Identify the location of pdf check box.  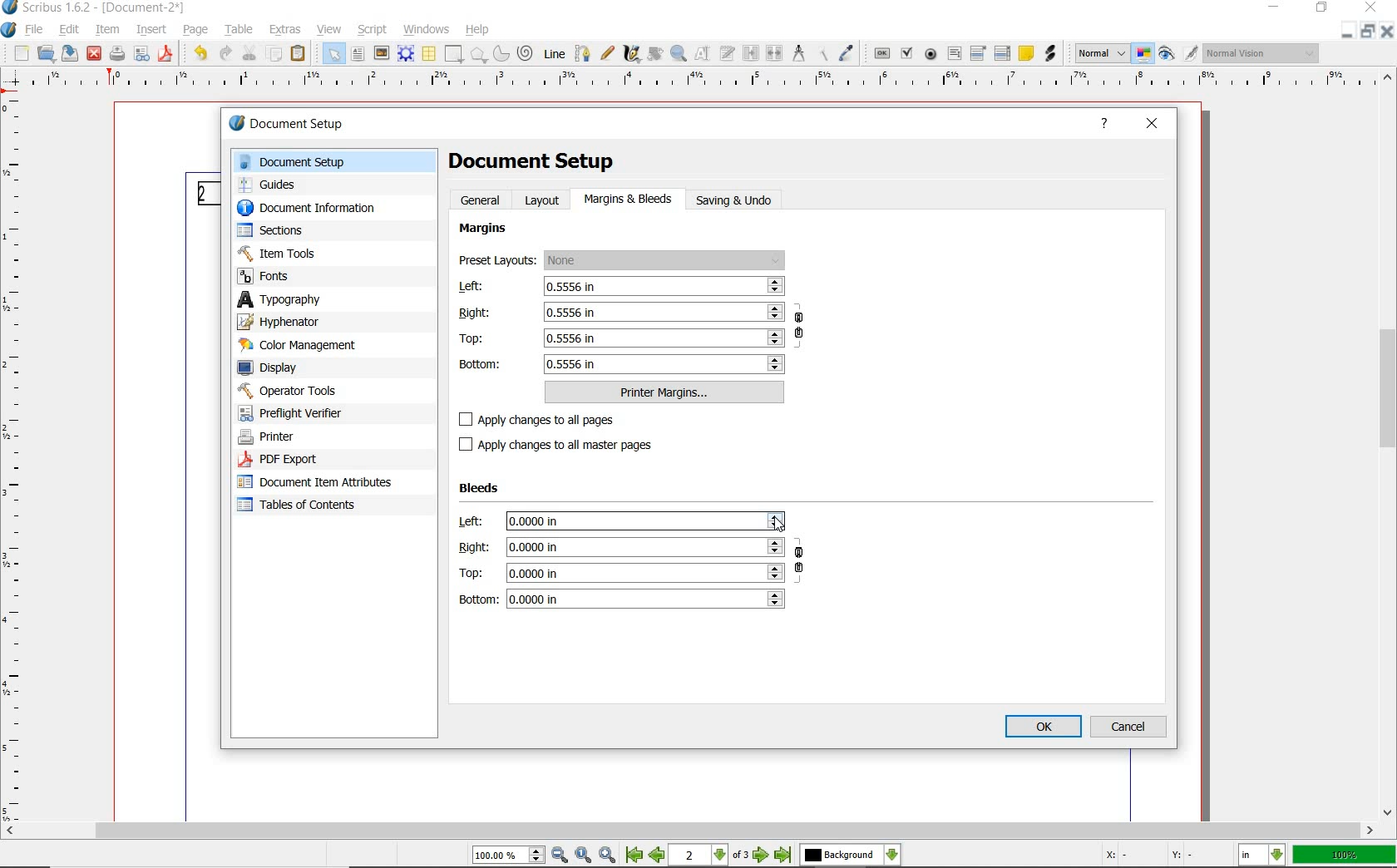
(908, 55).